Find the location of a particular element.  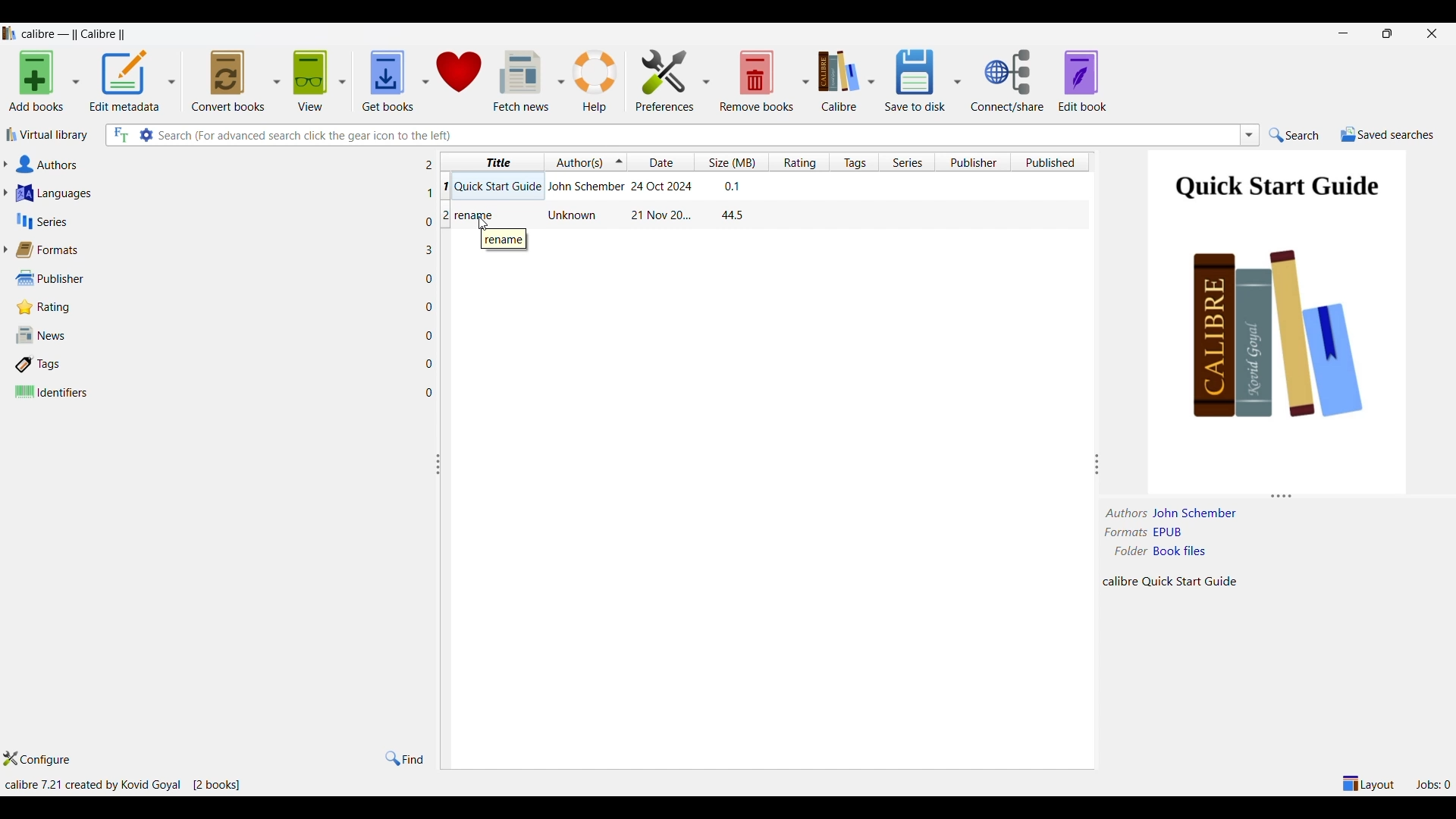

Remove books is located at coordinates (757, 81).